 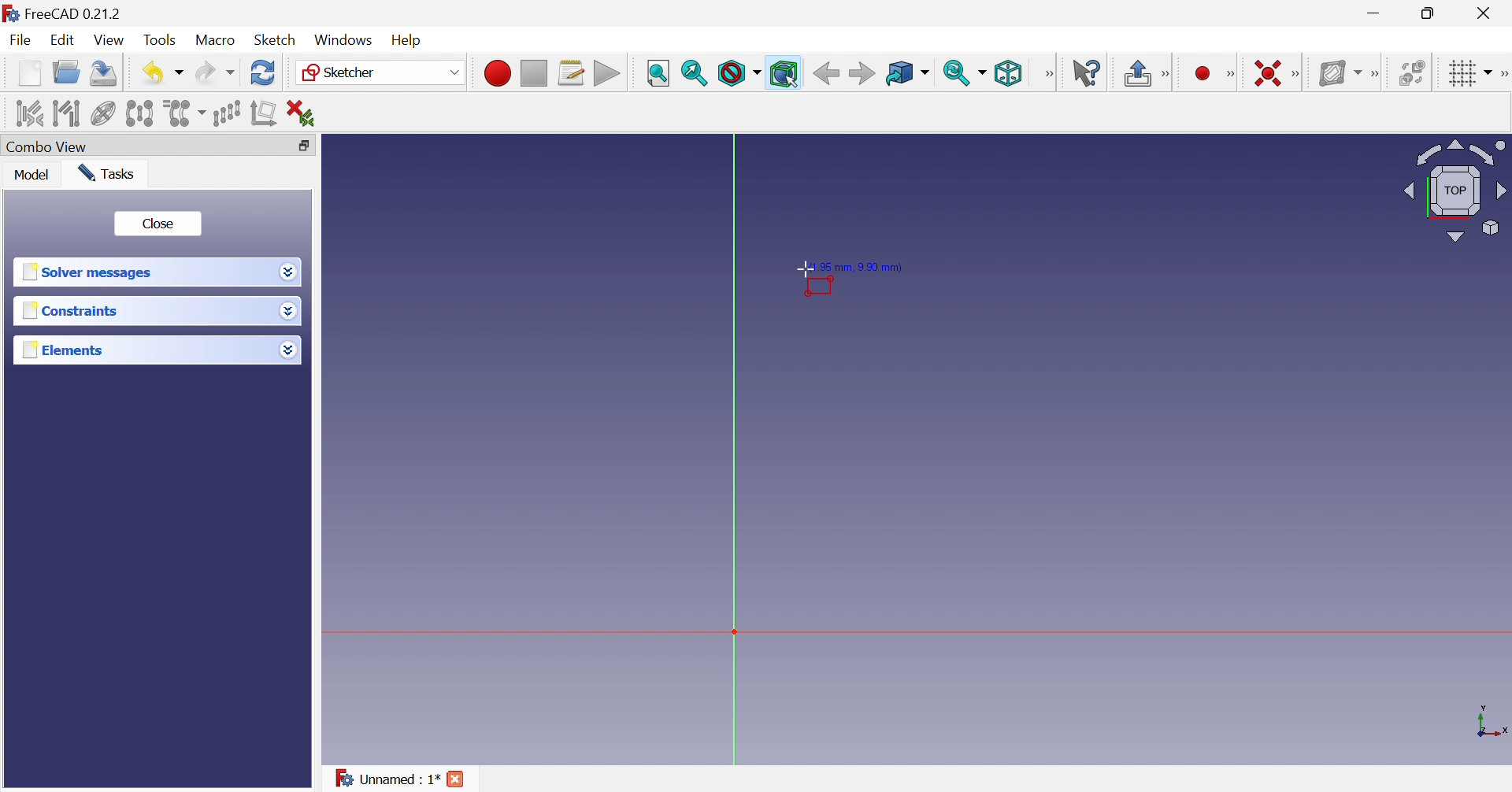 What do you see at coordinates (264, 73) in the screenshot?
I see `Refresh` at bounding box center [264, 73].